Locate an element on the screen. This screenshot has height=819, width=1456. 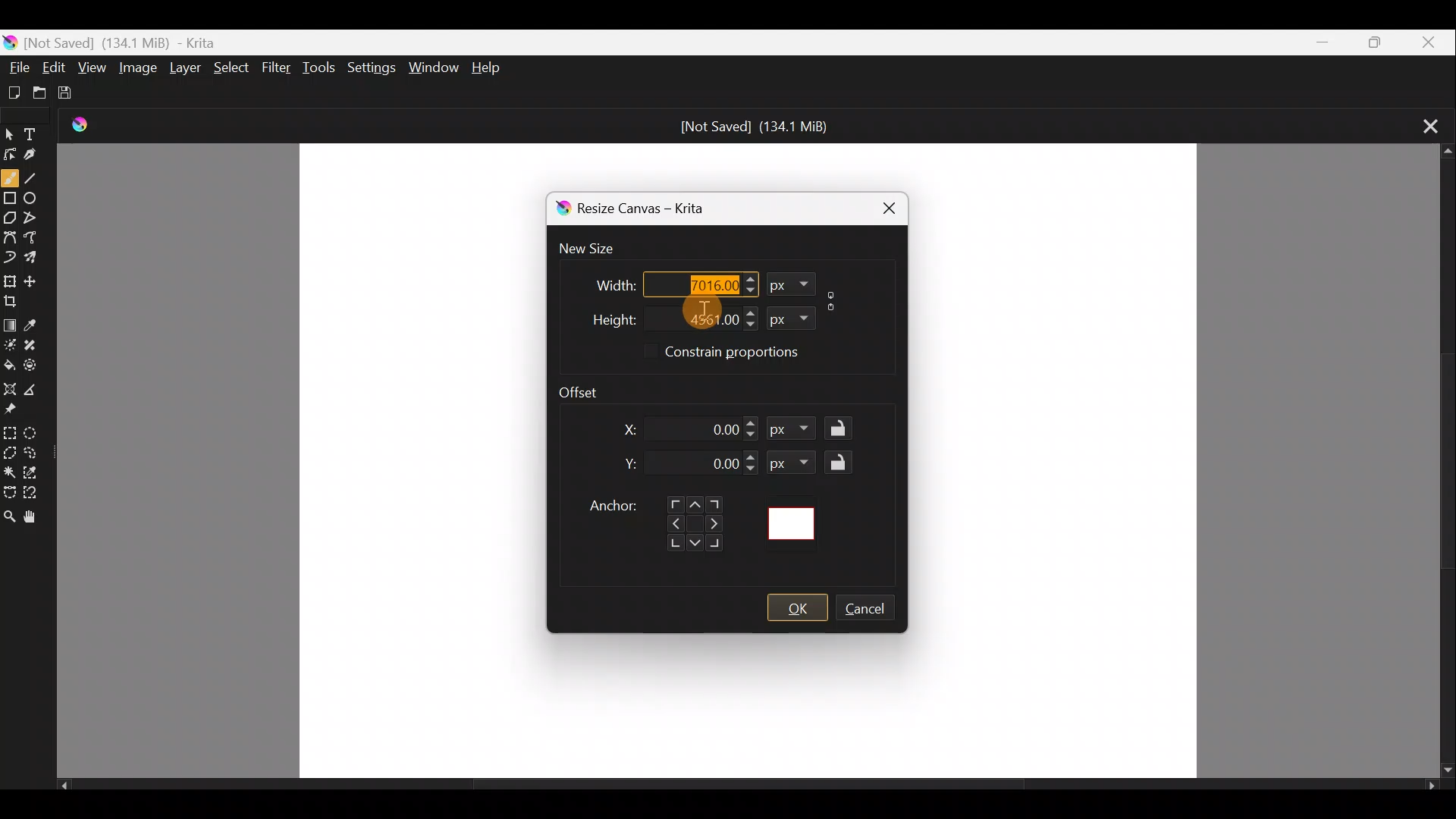
Sample a colour from the image/current layer is located at coordinates (37, 321).